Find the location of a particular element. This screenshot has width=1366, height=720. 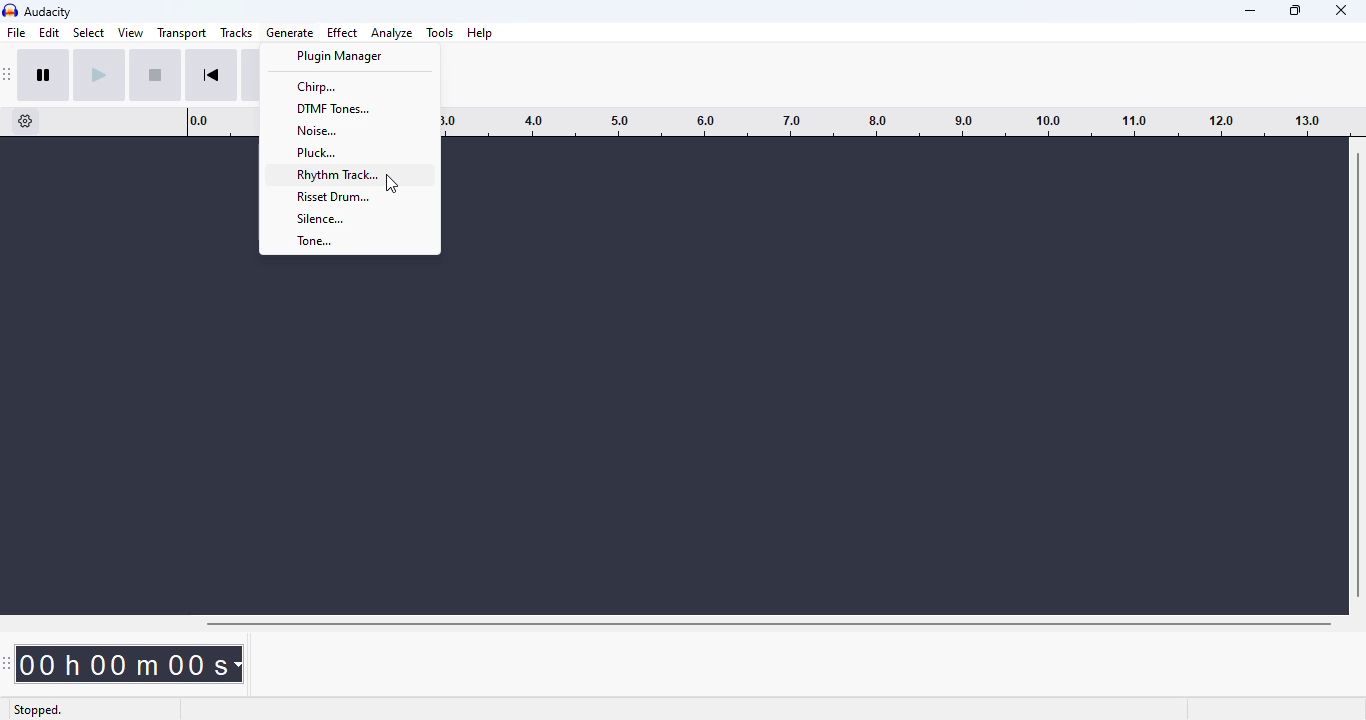

file is located at coordinates (16, 31).